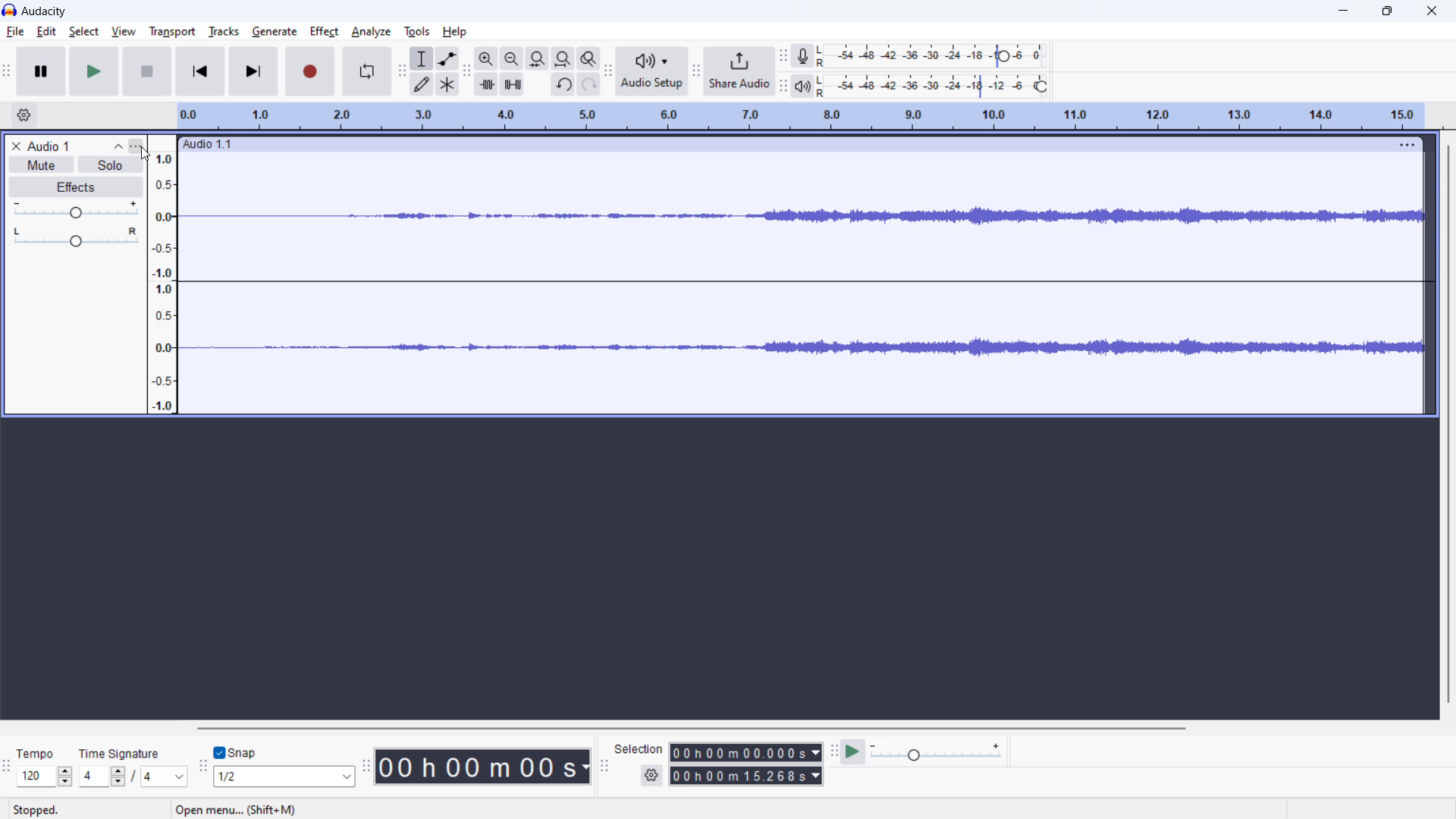  What do you see at coordinates (652, 775) in the screenshot?
I see `settings` at bounding box center [652, 775].